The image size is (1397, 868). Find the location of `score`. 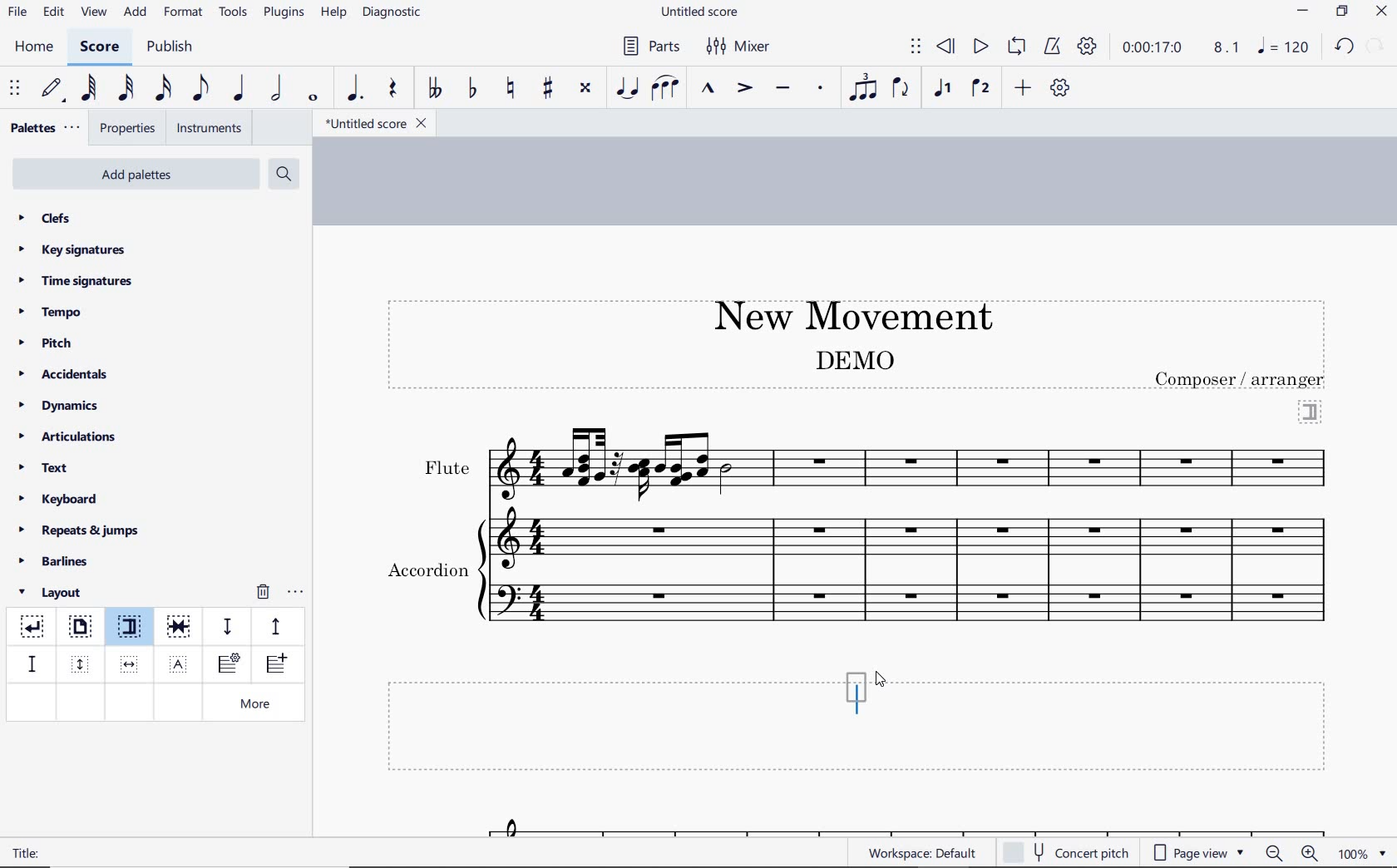

score is located at coordinates (100, 49).